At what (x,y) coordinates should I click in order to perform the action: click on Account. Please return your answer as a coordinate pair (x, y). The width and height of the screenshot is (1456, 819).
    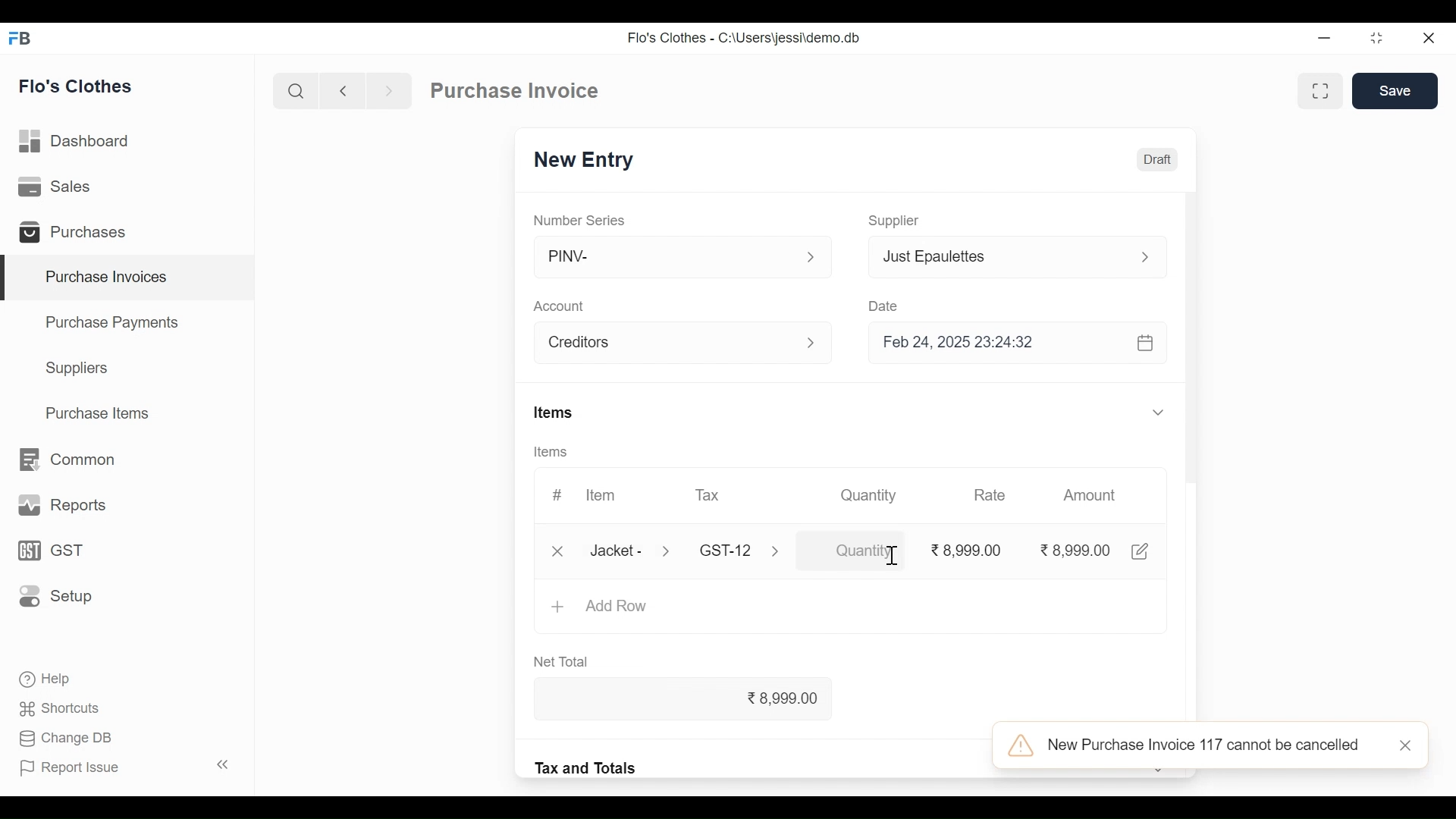
    Looking at the image, I should click on (560, 306).